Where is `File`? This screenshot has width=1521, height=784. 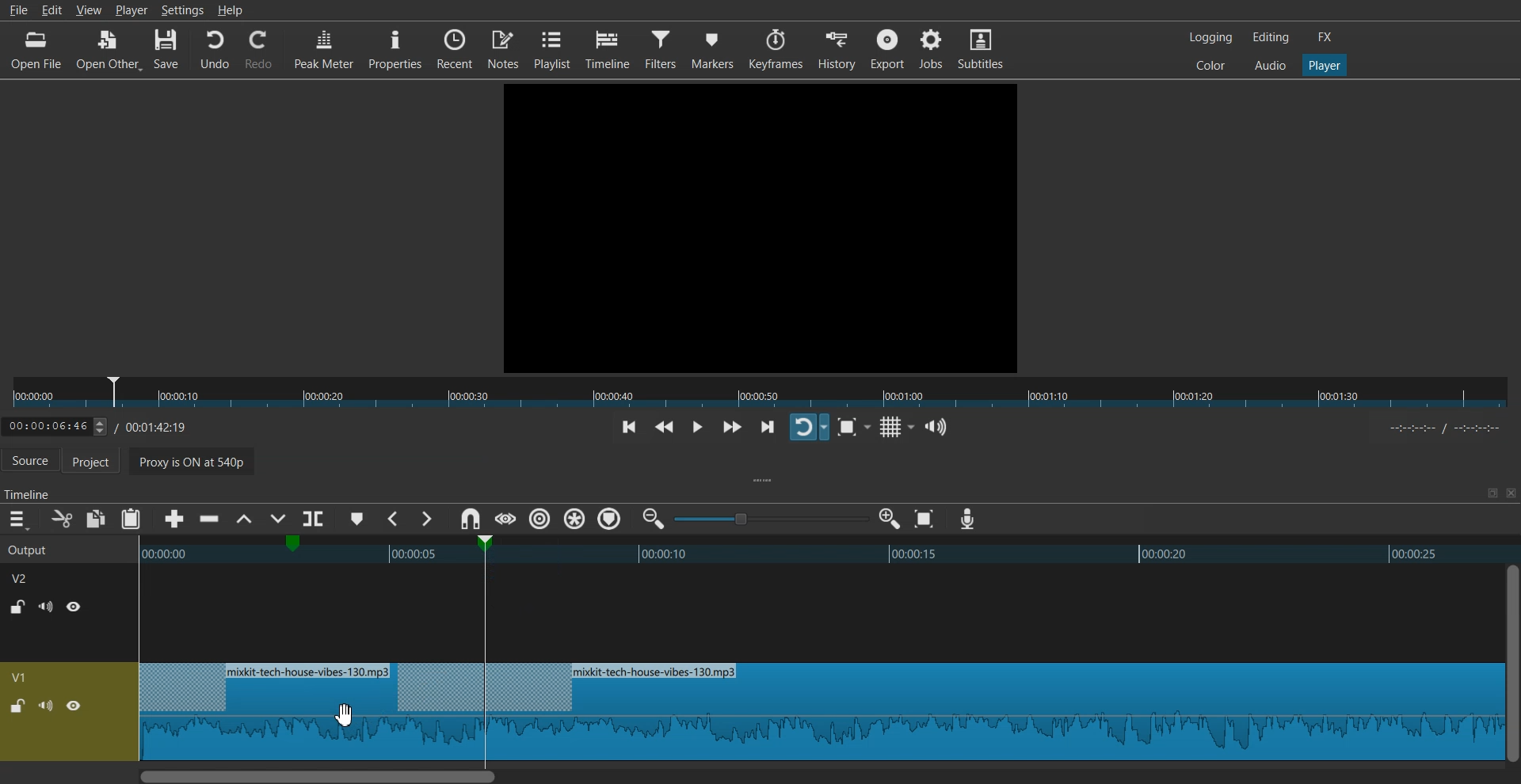
File is located at coordinates (17, 10).